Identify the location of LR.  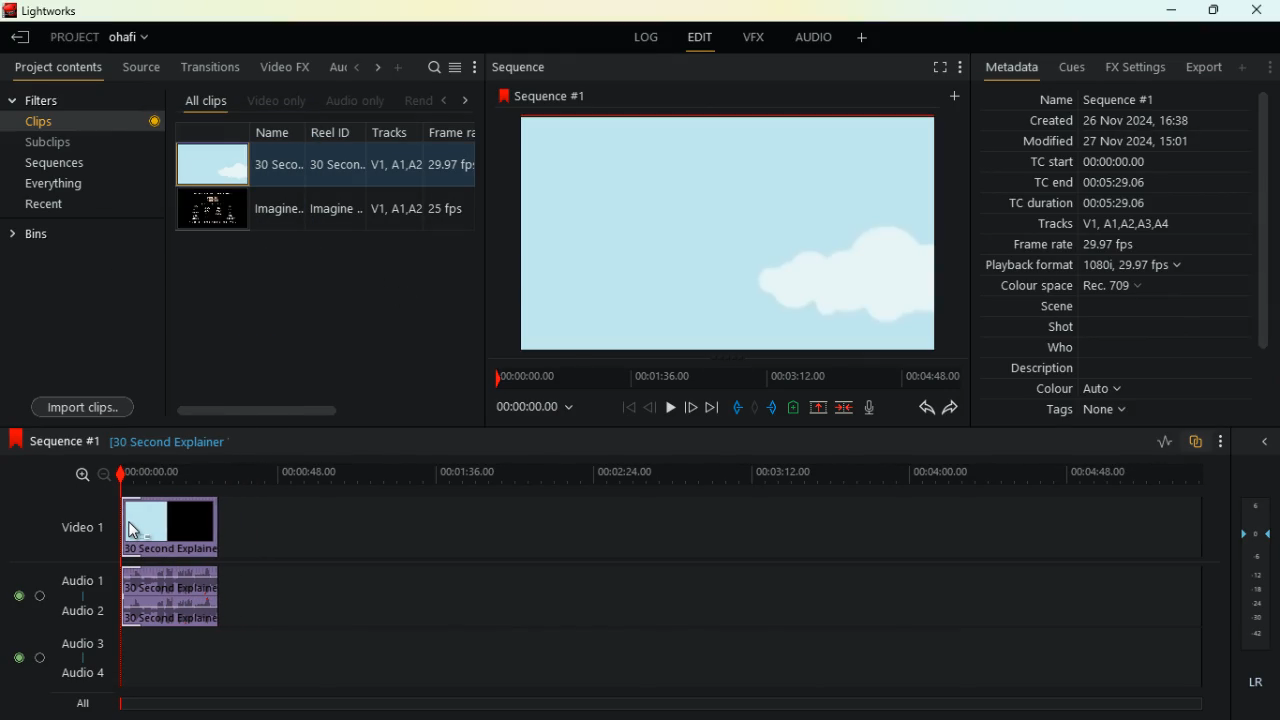
(1259, 681).